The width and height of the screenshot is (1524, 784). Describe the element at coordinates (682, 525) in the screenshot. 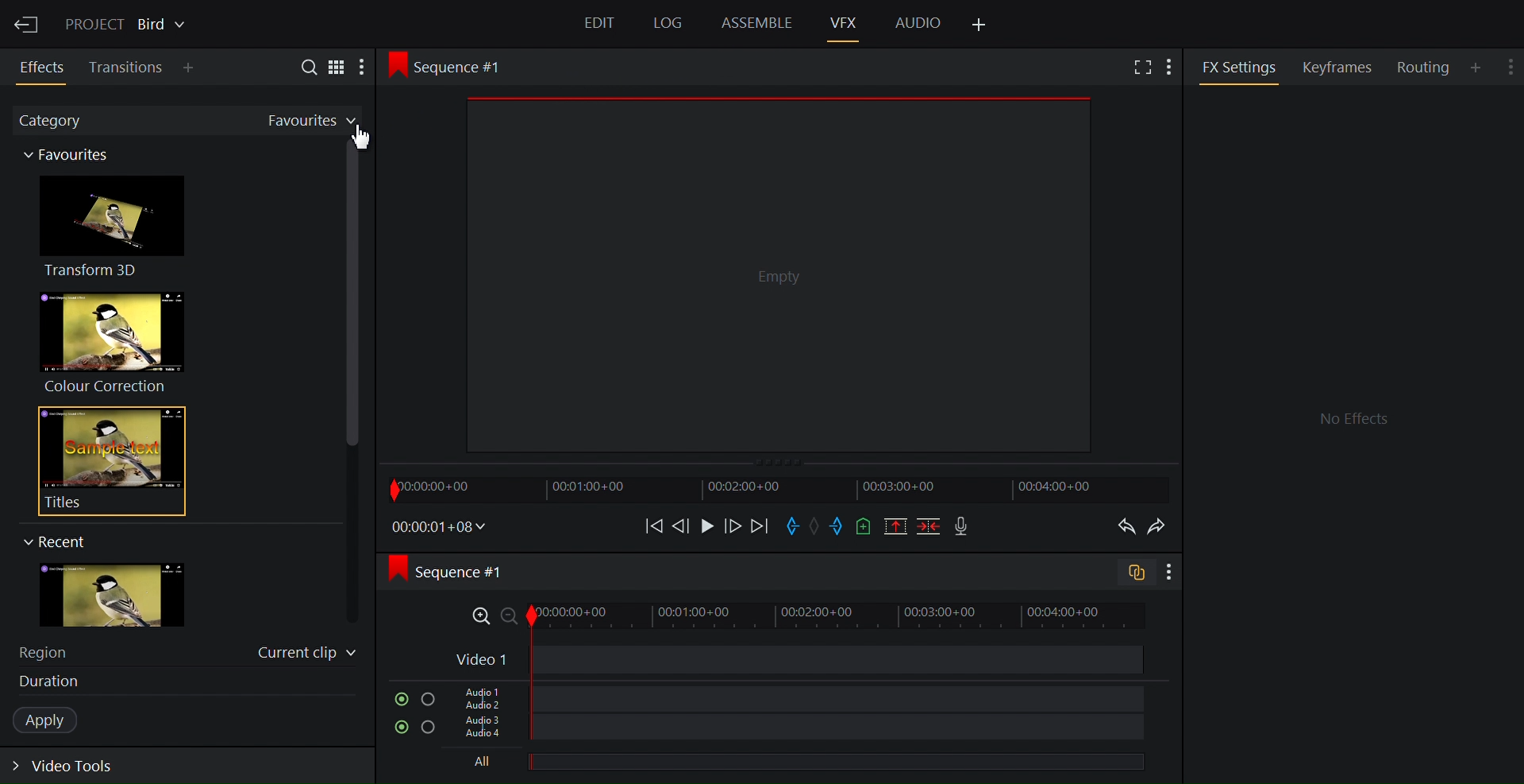

I see `Nudge one frame backwards` at that location.